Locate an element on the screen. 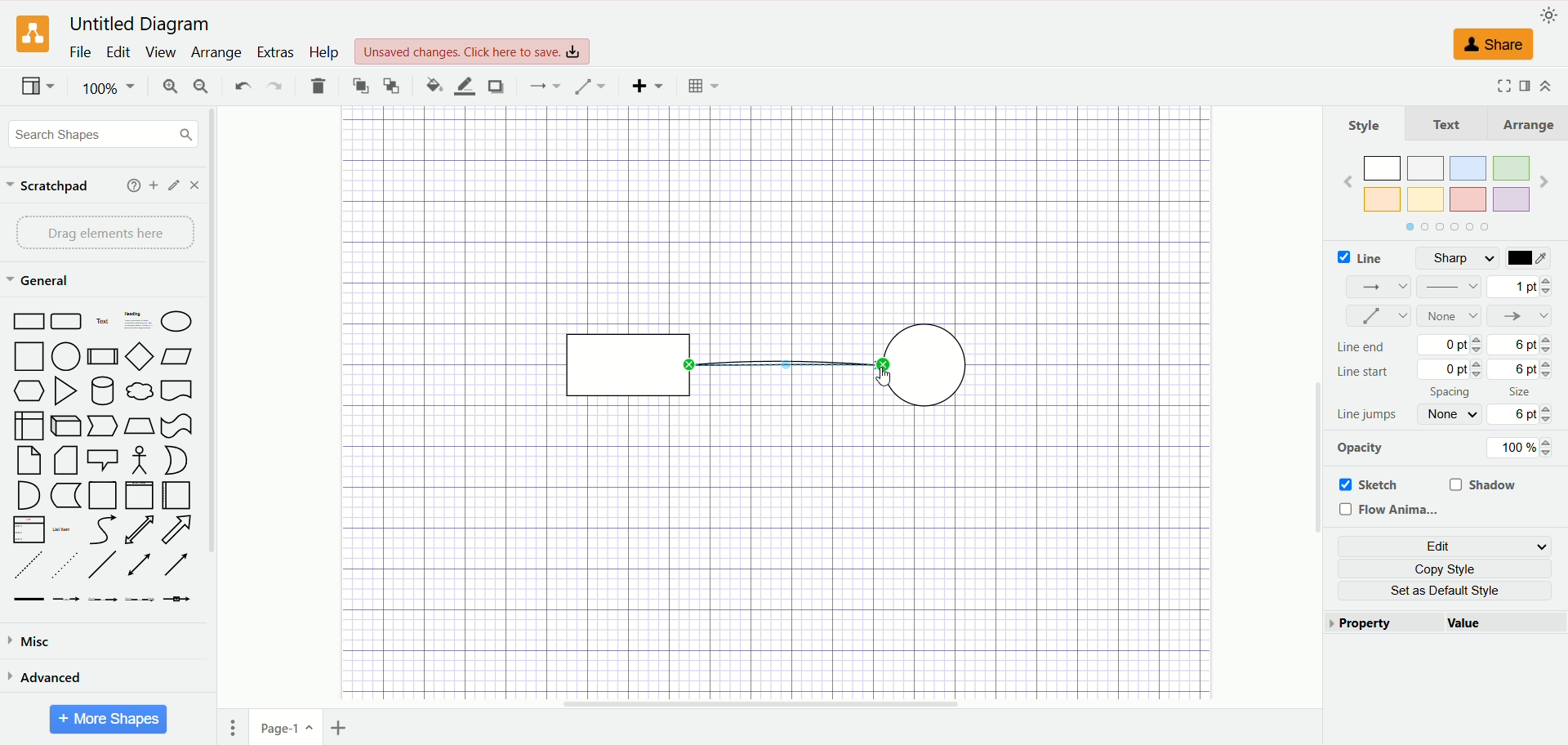 The width and height of the screenshot is (1568, 745). Next is located at coordinates (1540, 184).